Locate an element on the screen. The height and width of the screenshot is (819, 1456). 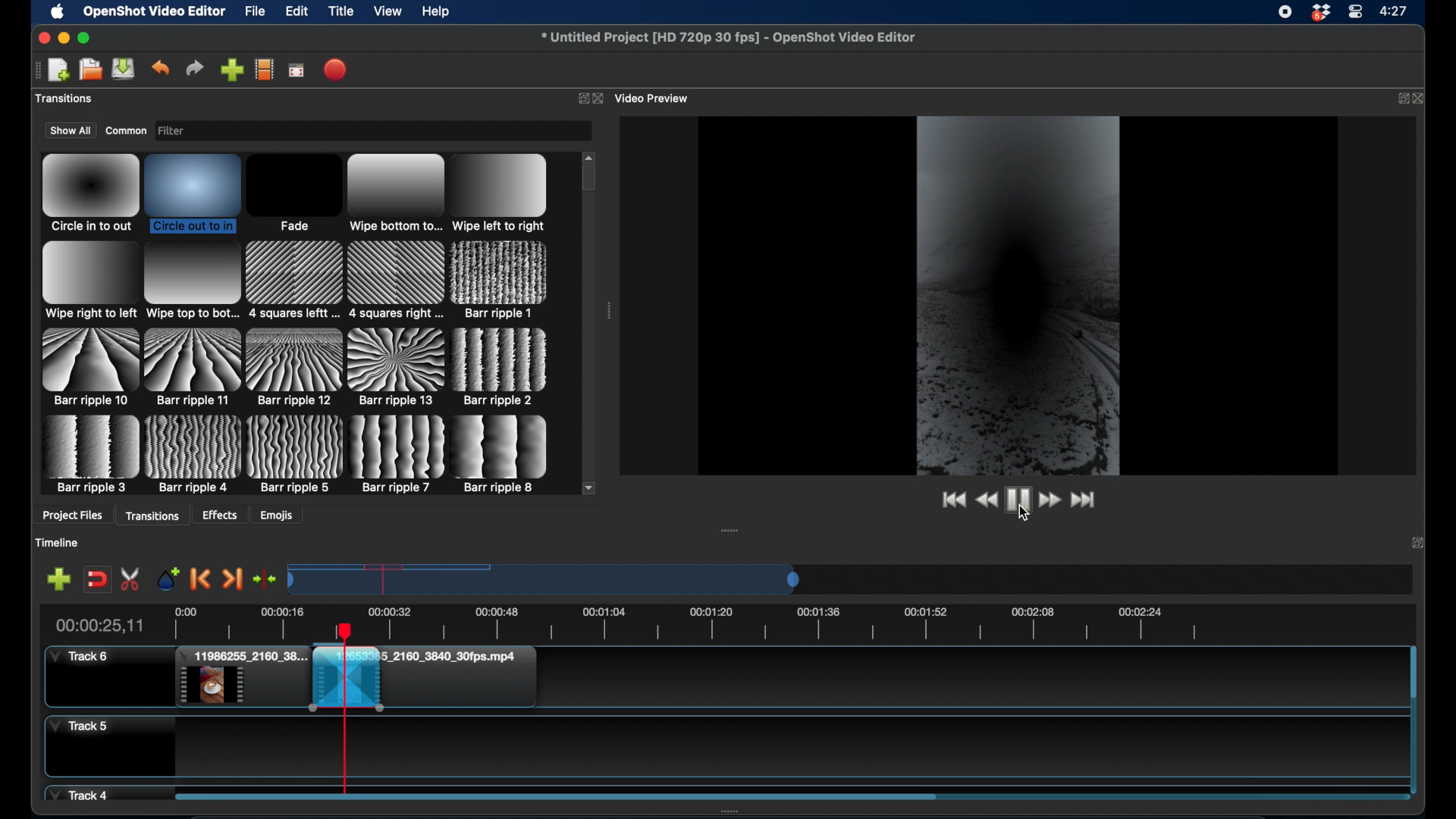
scroll bar is located at coordinates (1413, 673).